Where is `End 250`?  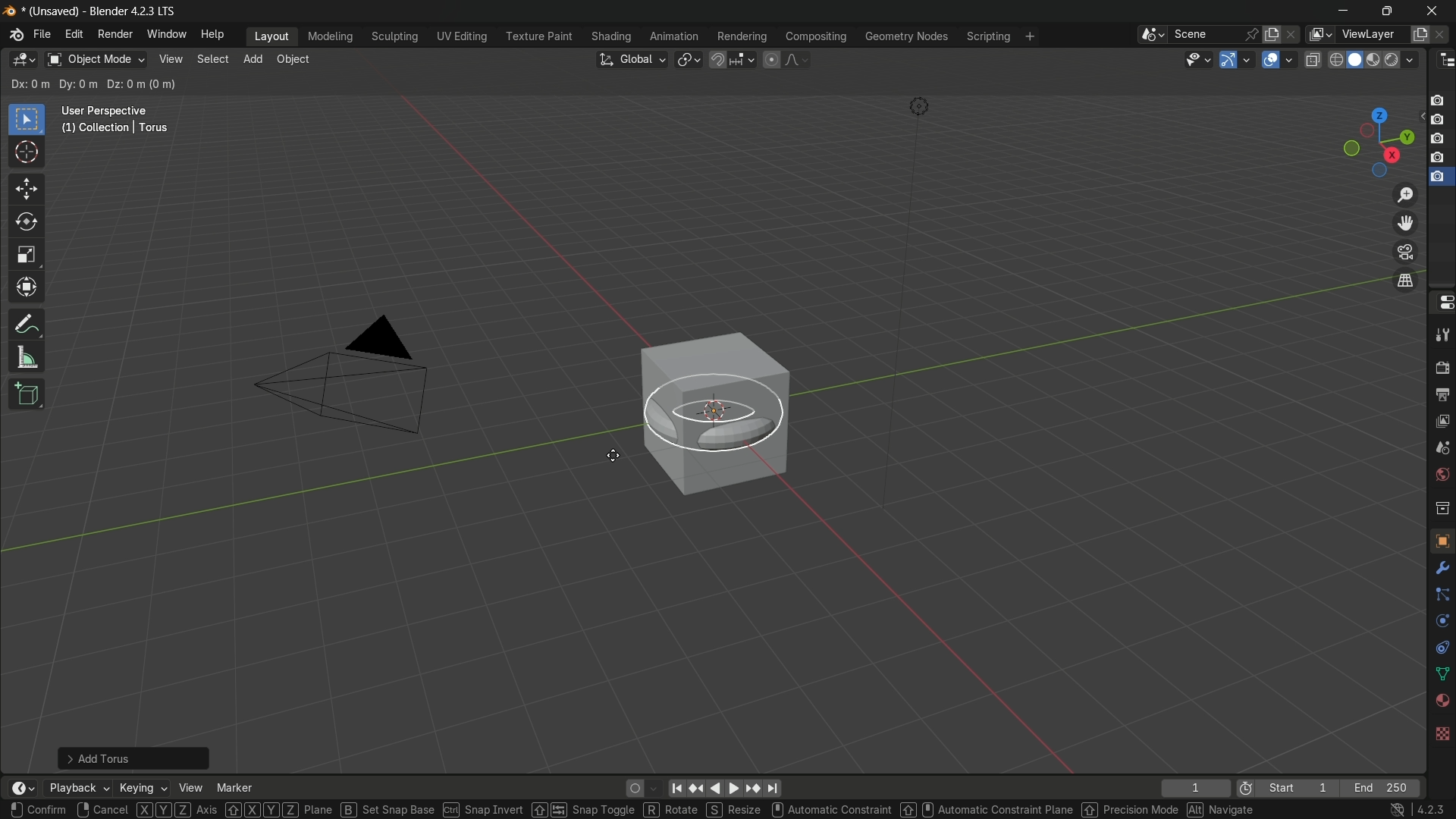
End 250 is located at coordinates (1379, 788).